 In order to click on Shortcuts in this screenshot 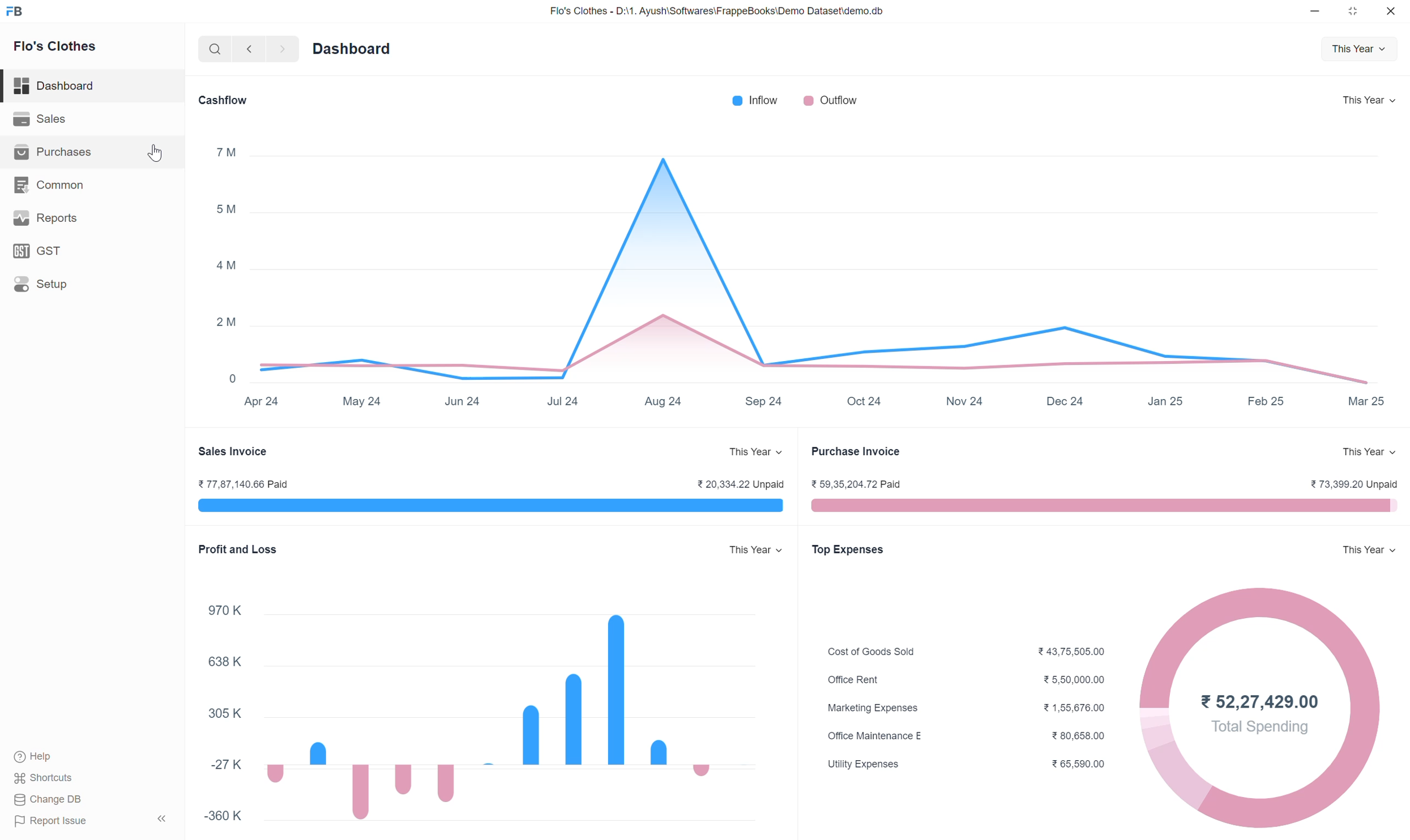, I will do `click(45, 779)`.